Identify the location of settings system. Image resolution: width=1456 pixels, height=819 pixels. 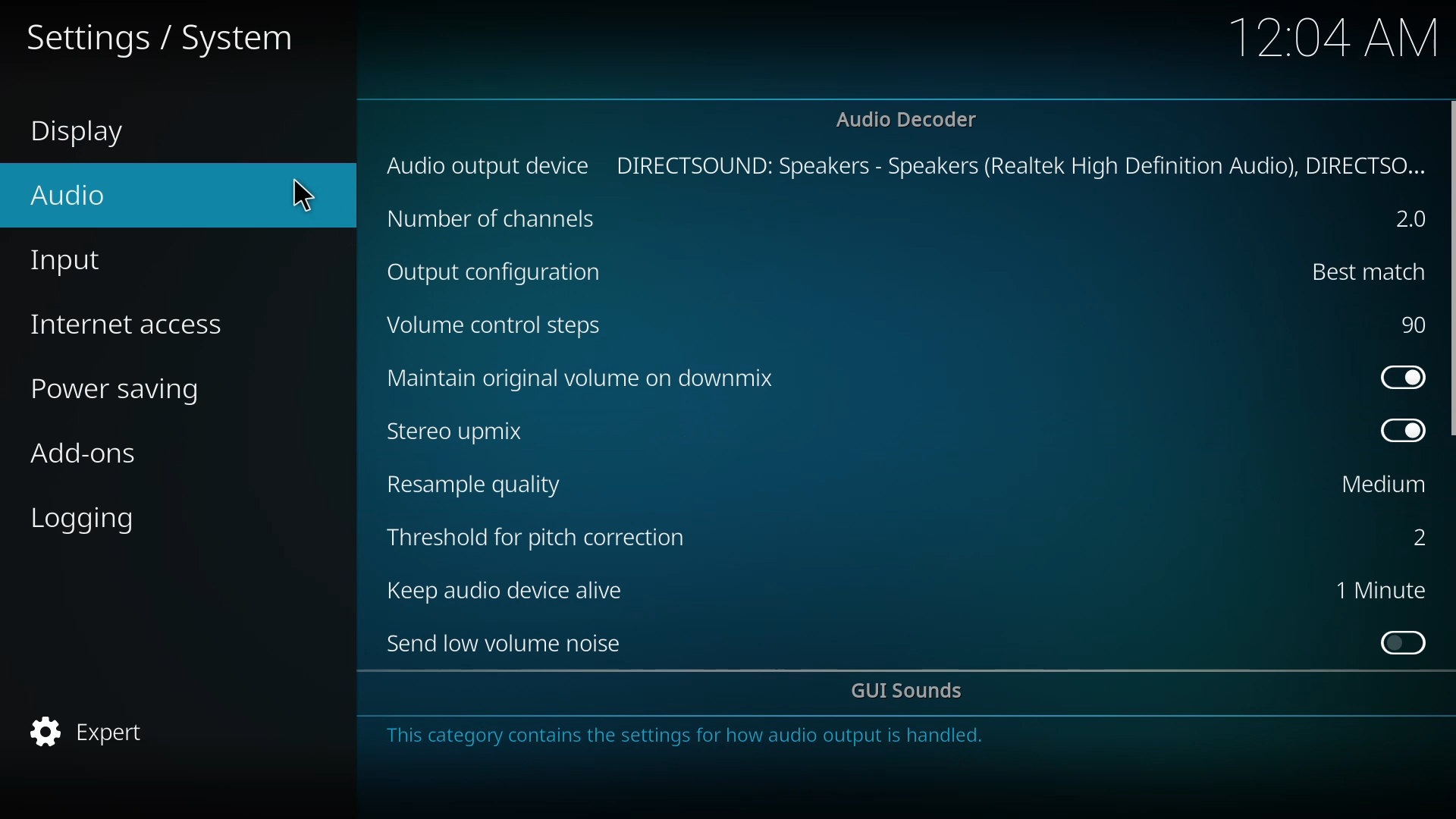
(165, 37).